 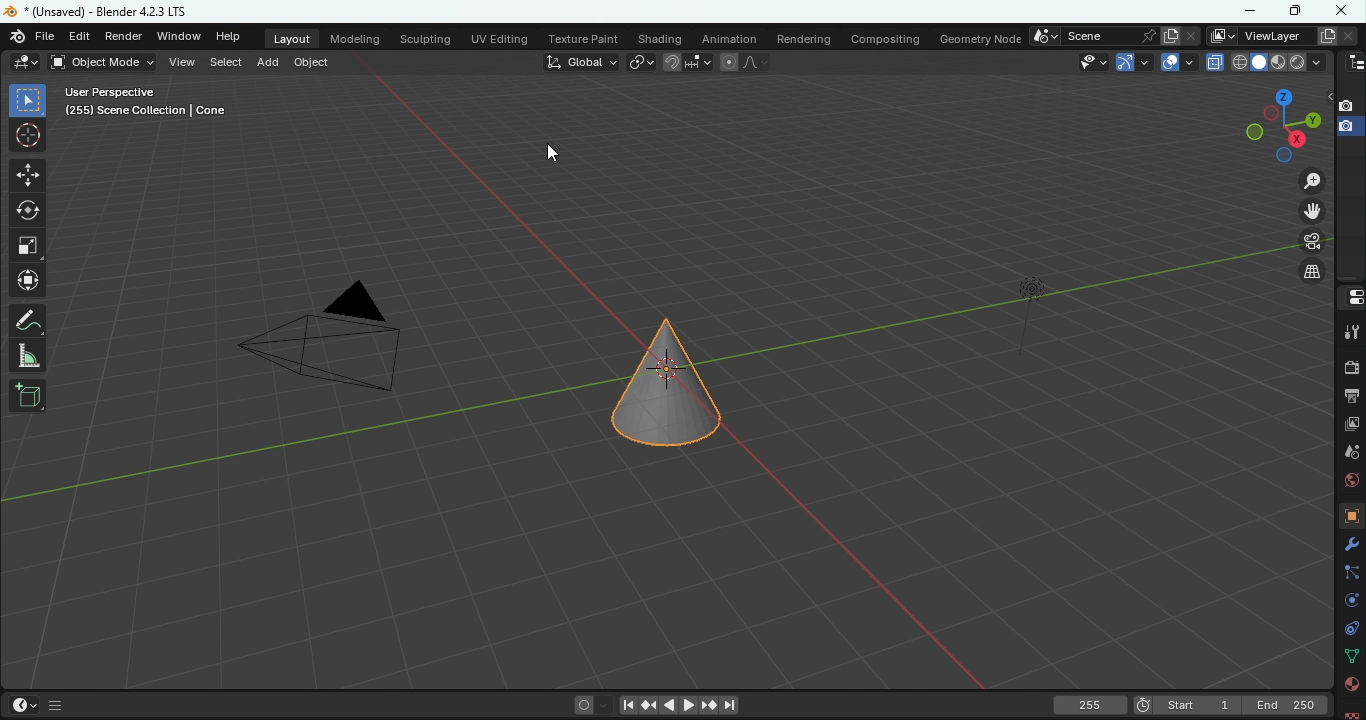 I want to click on Cursor, so click(x=29, y=136).